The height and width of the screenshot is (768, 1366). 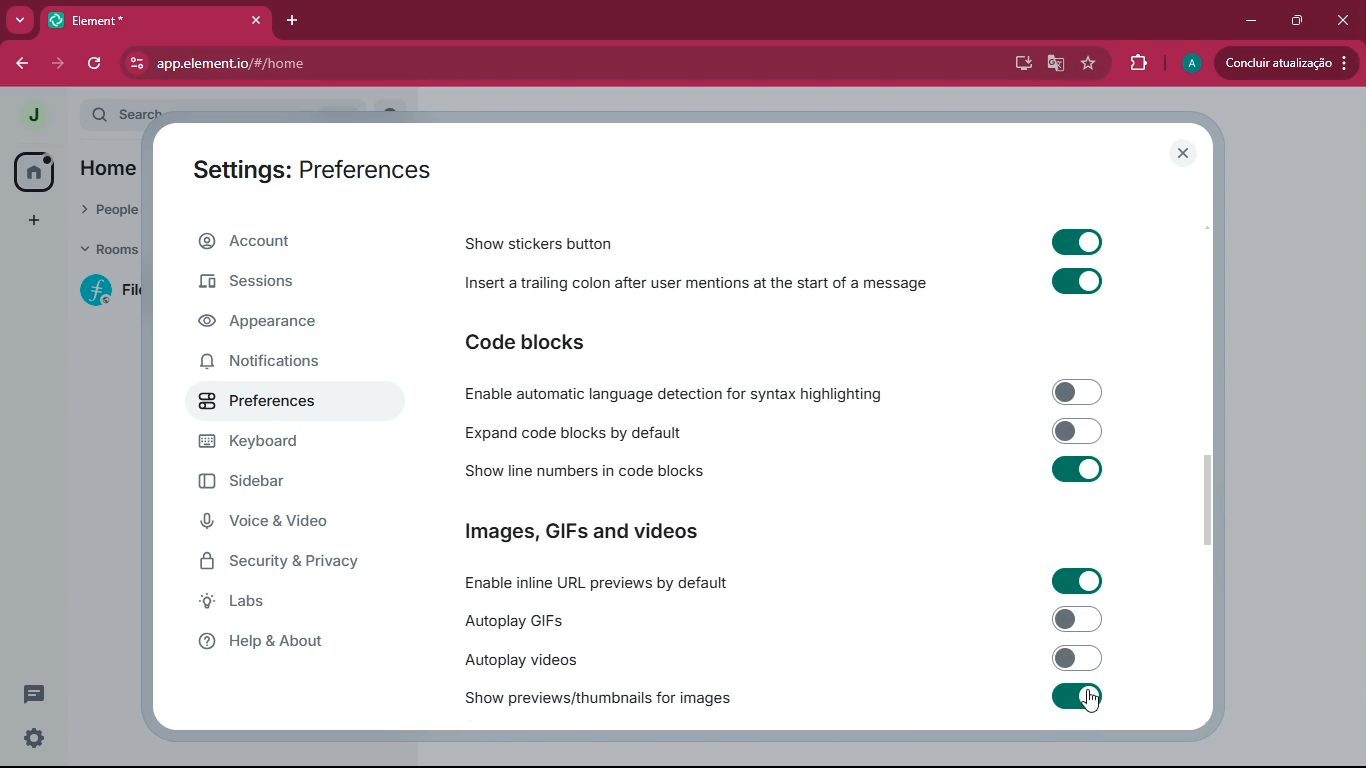 What do you see at coordinates (1183, 153) in the screenshot?
I see `Close` at bounding box center [1183, 153].